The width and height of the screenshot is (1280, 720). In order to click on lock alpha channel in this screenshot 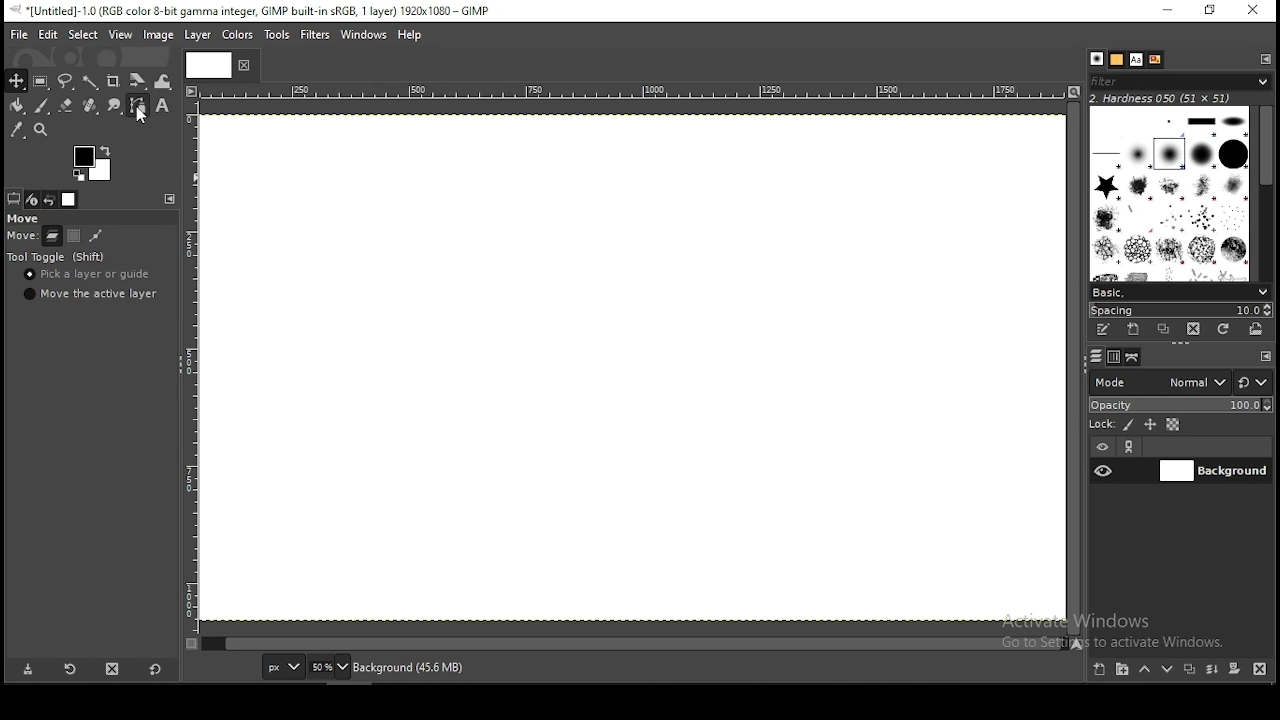, I will do `click(1174, 424)`.